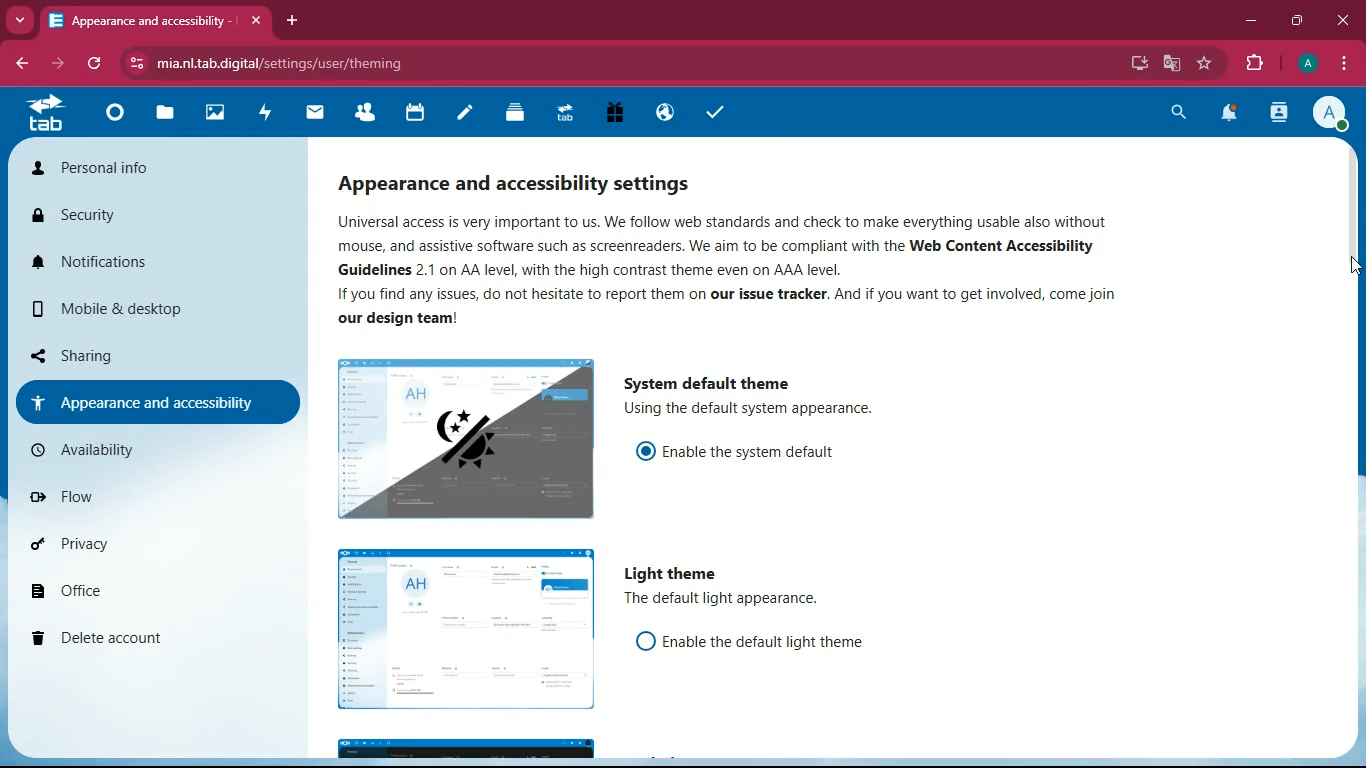 The image size is (1366, 768). Describe the element at coordinates (164, 115) in the screenshot. I see `files` at that location.